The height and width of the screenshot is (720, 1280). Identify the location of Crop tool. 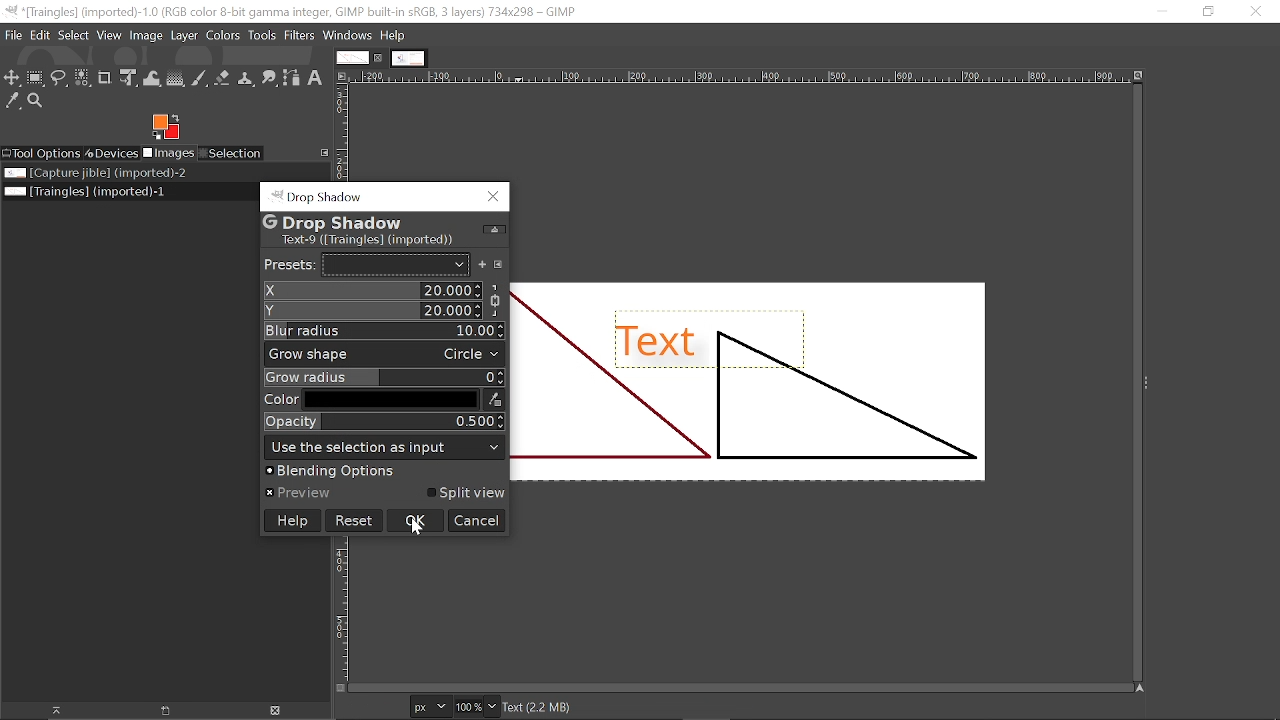
(106, 79).